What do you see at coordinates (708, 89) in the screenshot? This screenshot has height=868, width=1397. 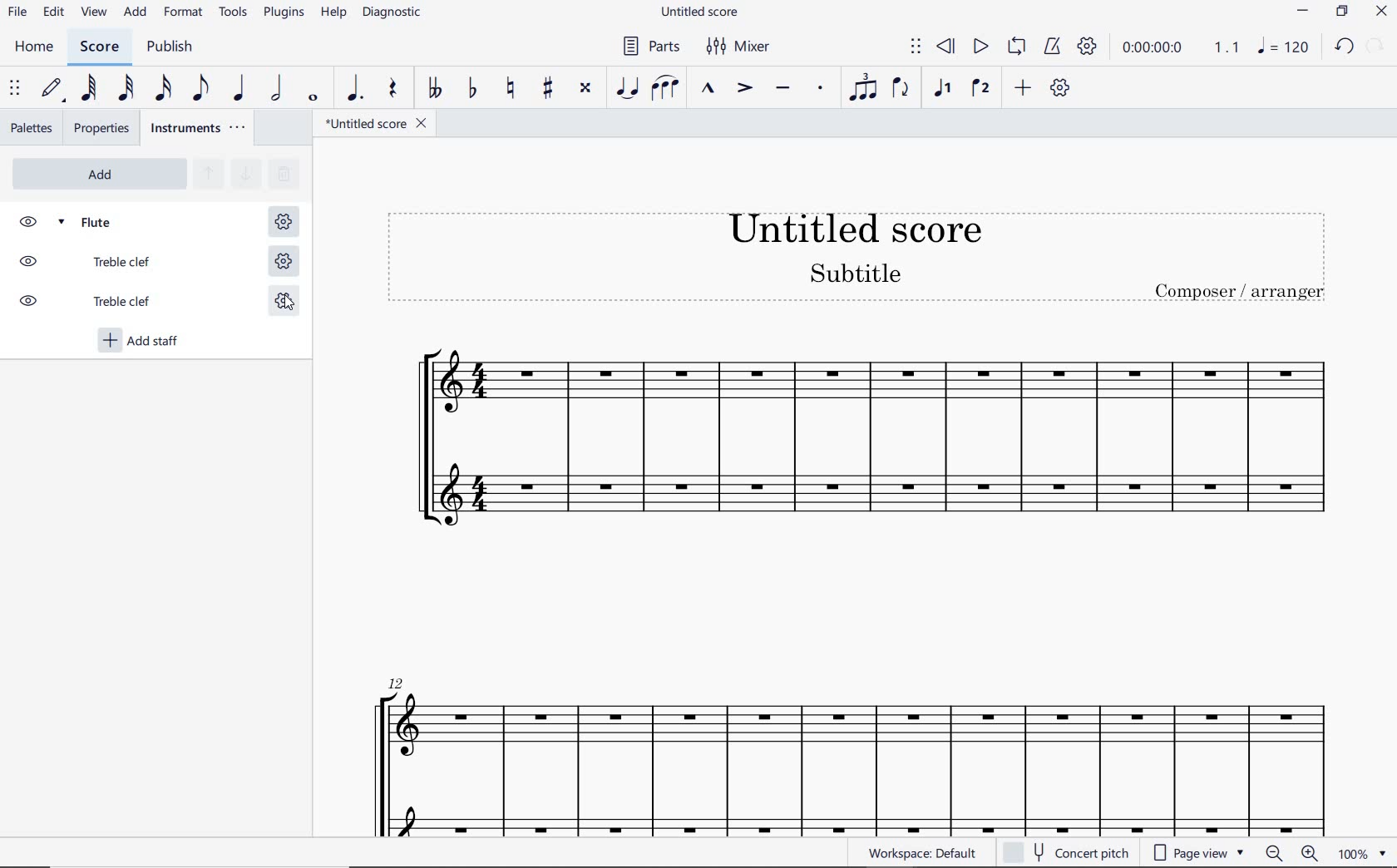 I see `MARCATO` at bounding box center [708, 89].